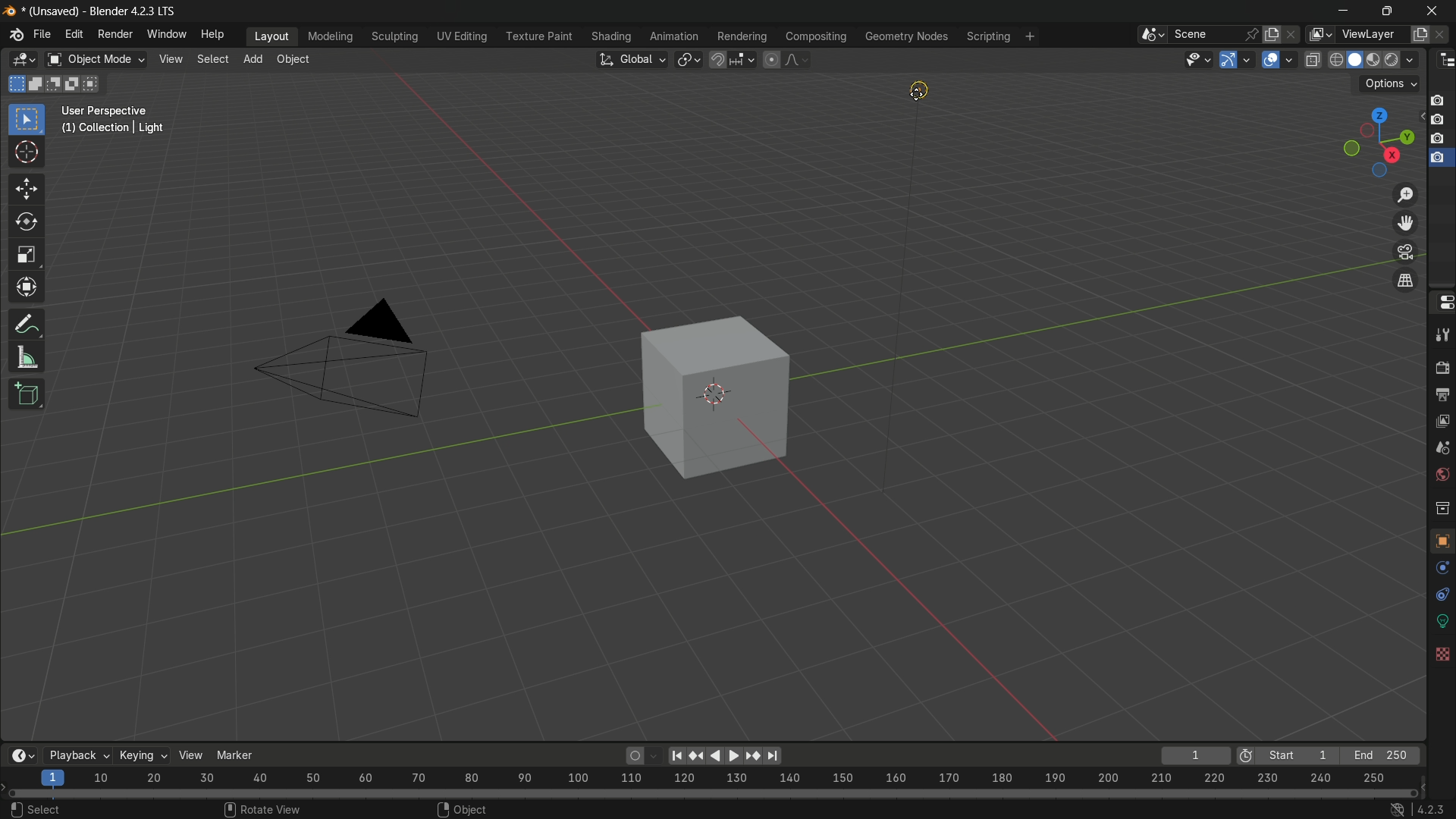 The image size is (1456, 819). Describe the element at coordinates (166, 35) in the screenshot. I see `window menu` at that location.